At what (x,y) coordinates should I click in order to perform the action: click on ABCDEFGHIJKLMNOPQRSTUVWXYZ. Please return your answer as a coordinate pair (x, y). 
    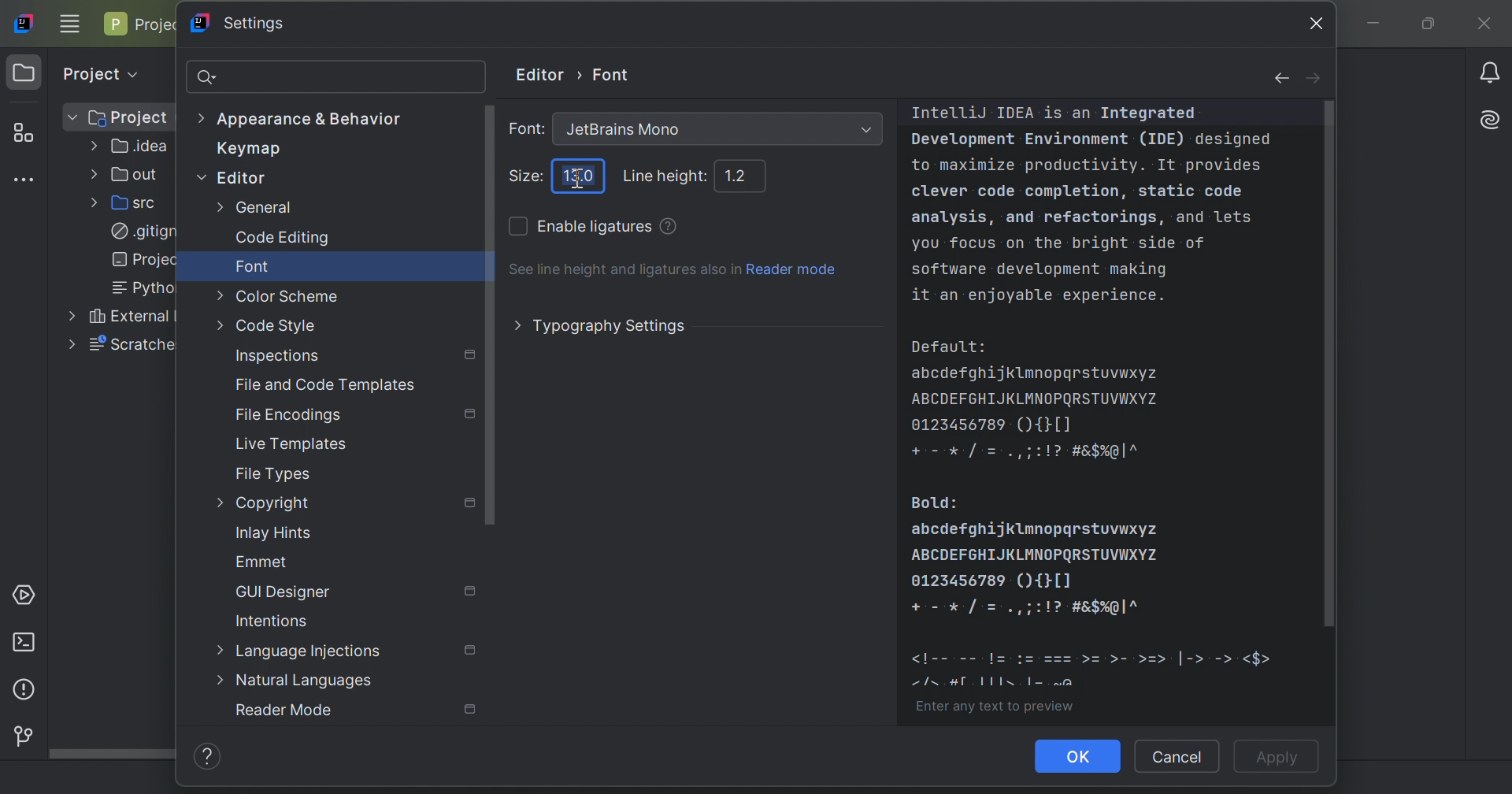
    Looking at the image, I should click on (1037, 399).